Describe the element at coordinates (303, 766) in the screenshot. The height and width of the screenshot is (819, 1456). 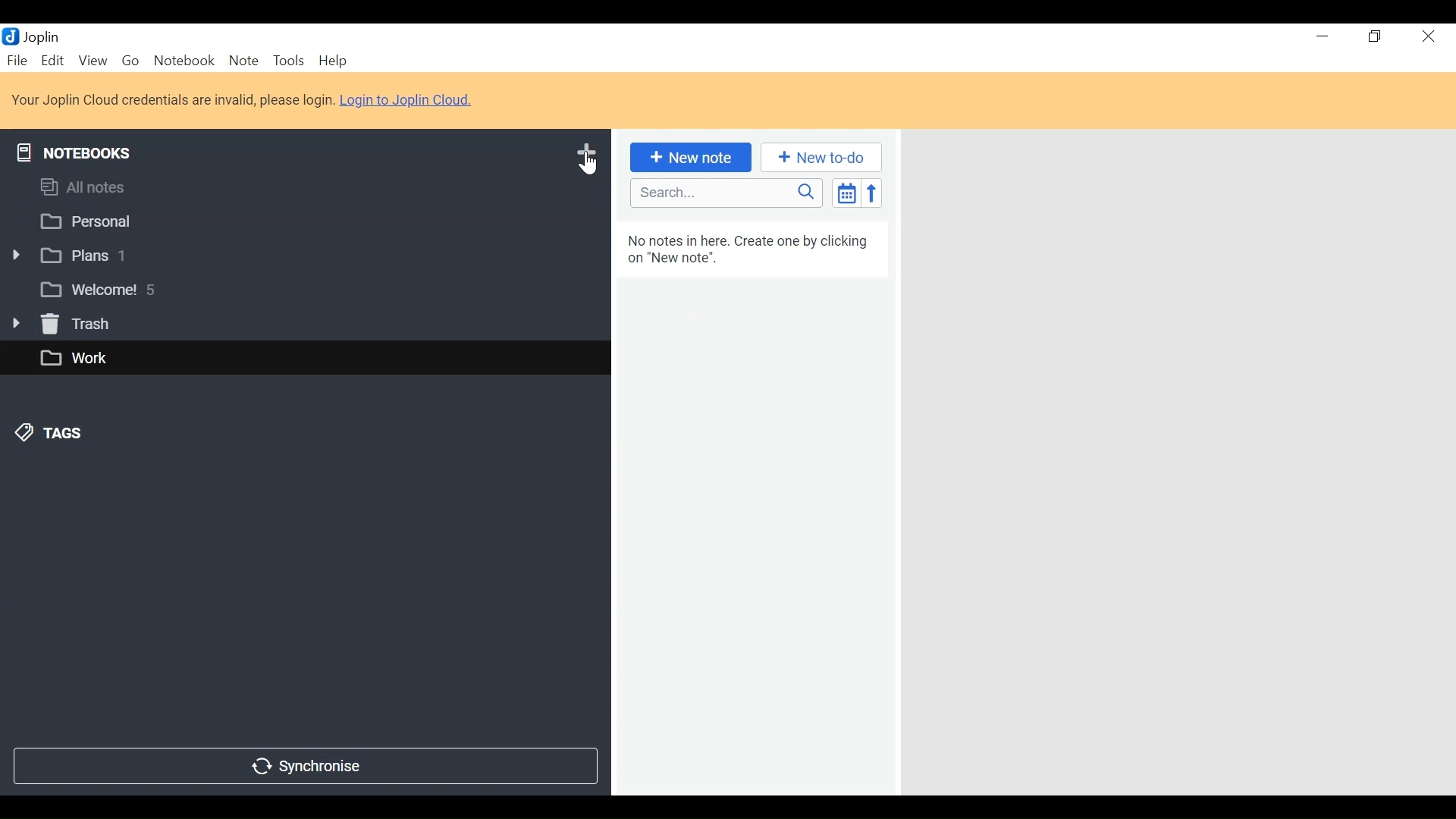
I see `Synchronize` at that location.